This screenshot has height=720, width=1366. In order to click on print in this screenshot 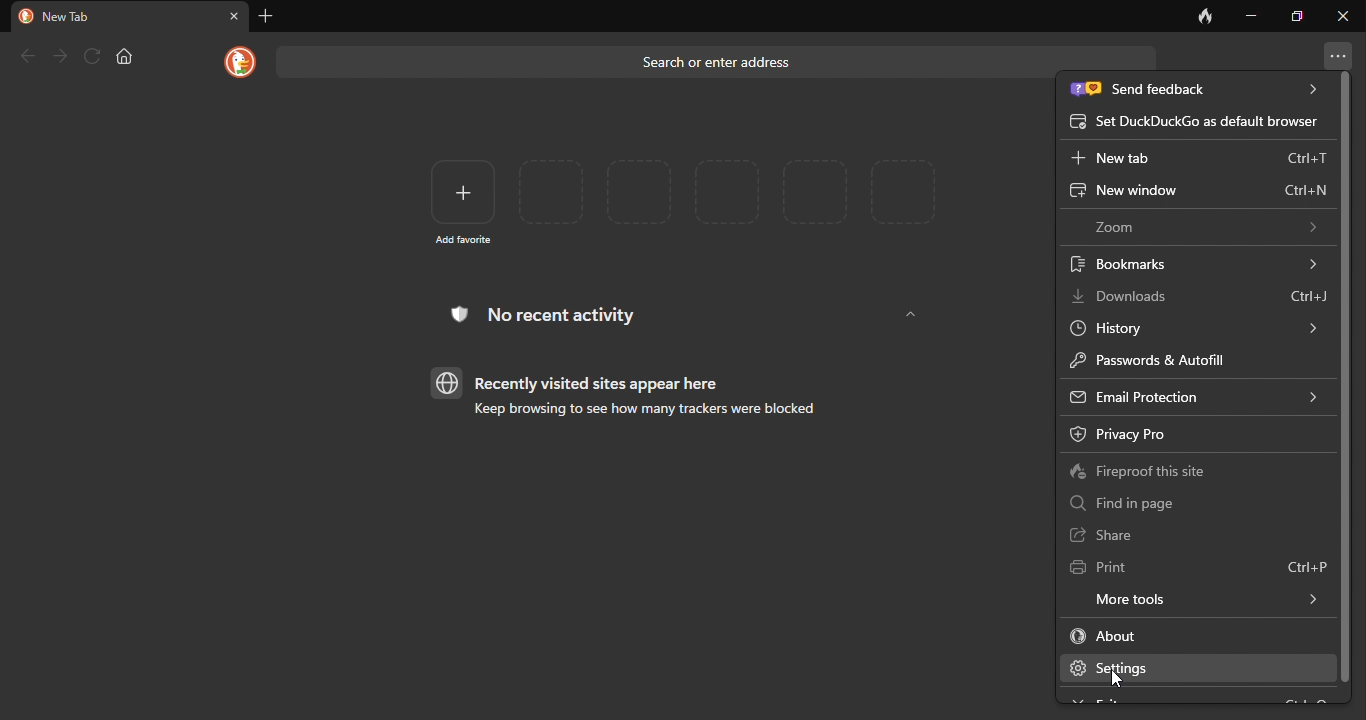, I will do `click(1197, 569)`.